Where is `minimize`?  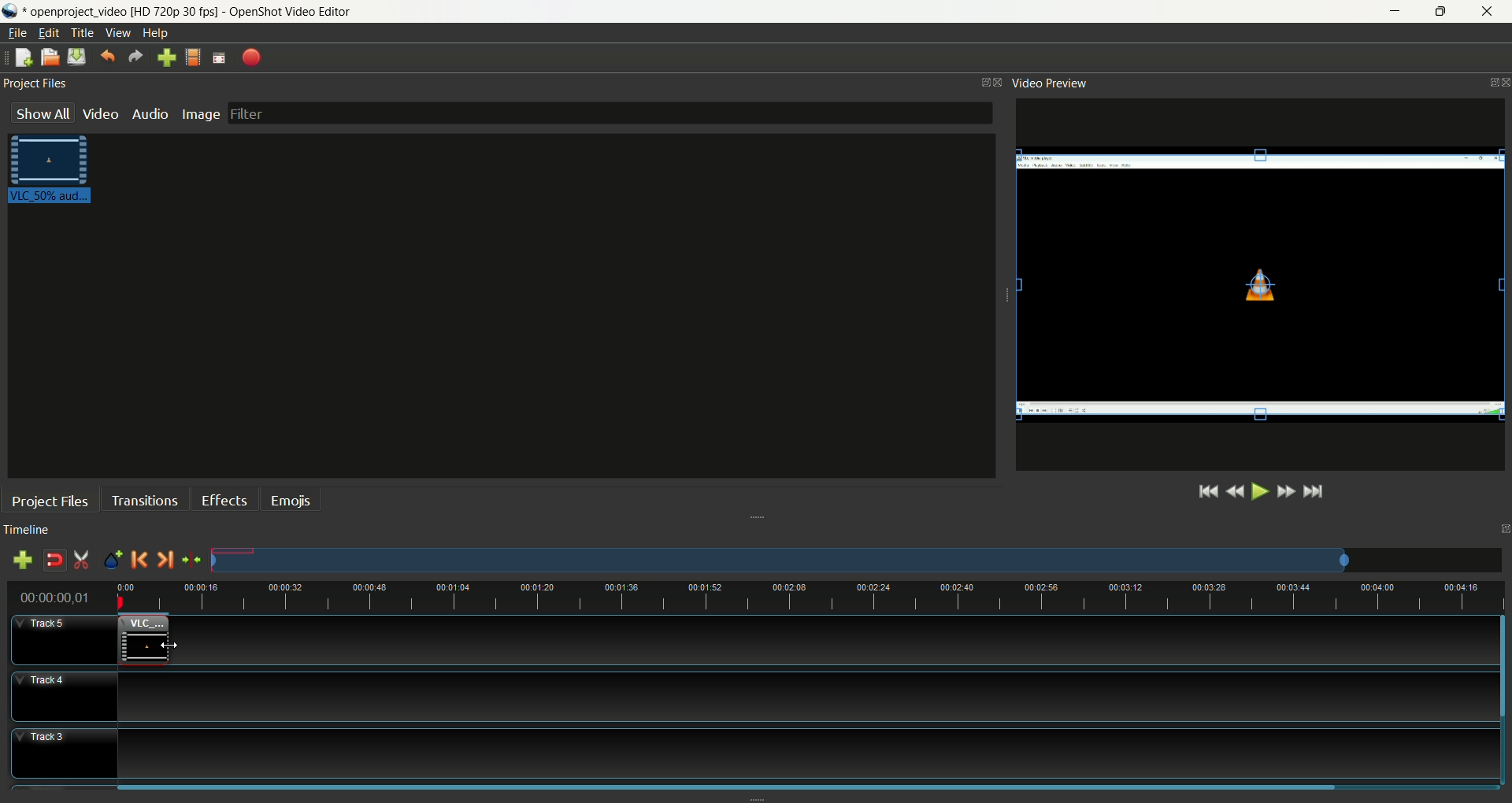
minimize is located at coordinates (1393, 12).